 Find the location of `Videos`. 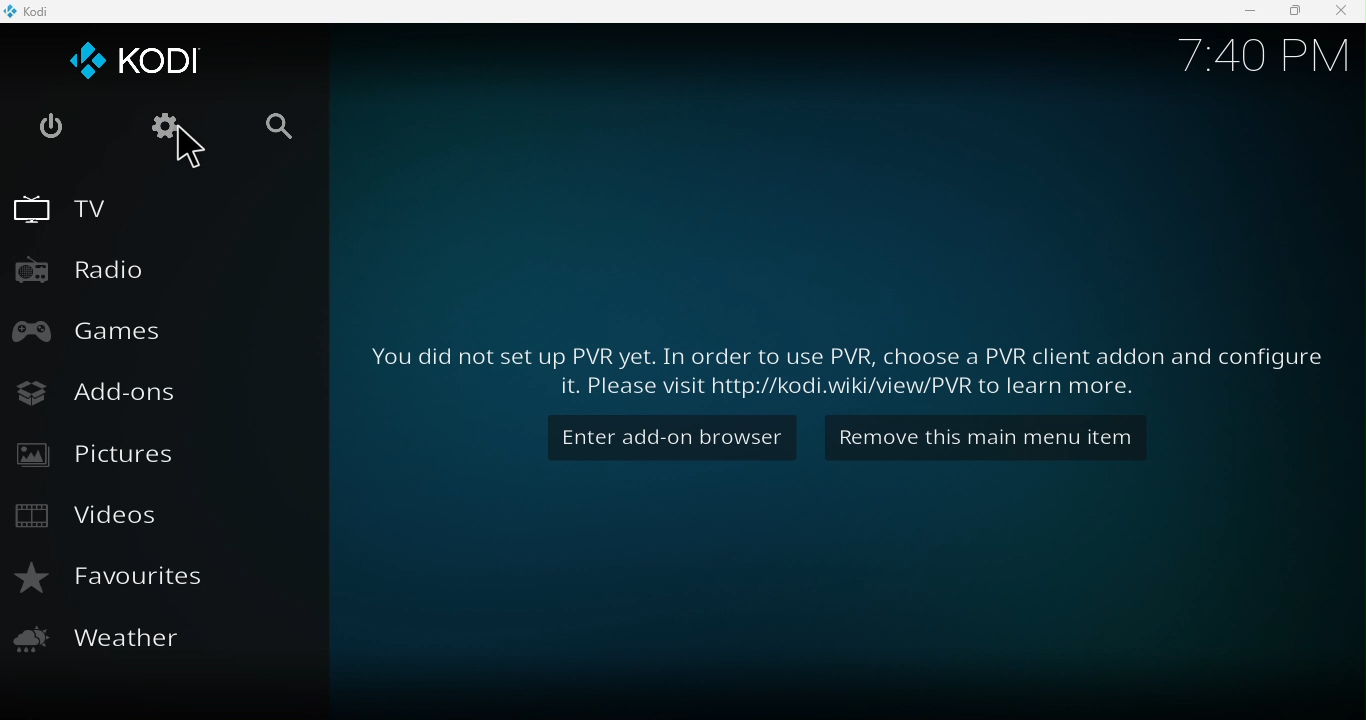

Videos is located at coordinates (92, 518).